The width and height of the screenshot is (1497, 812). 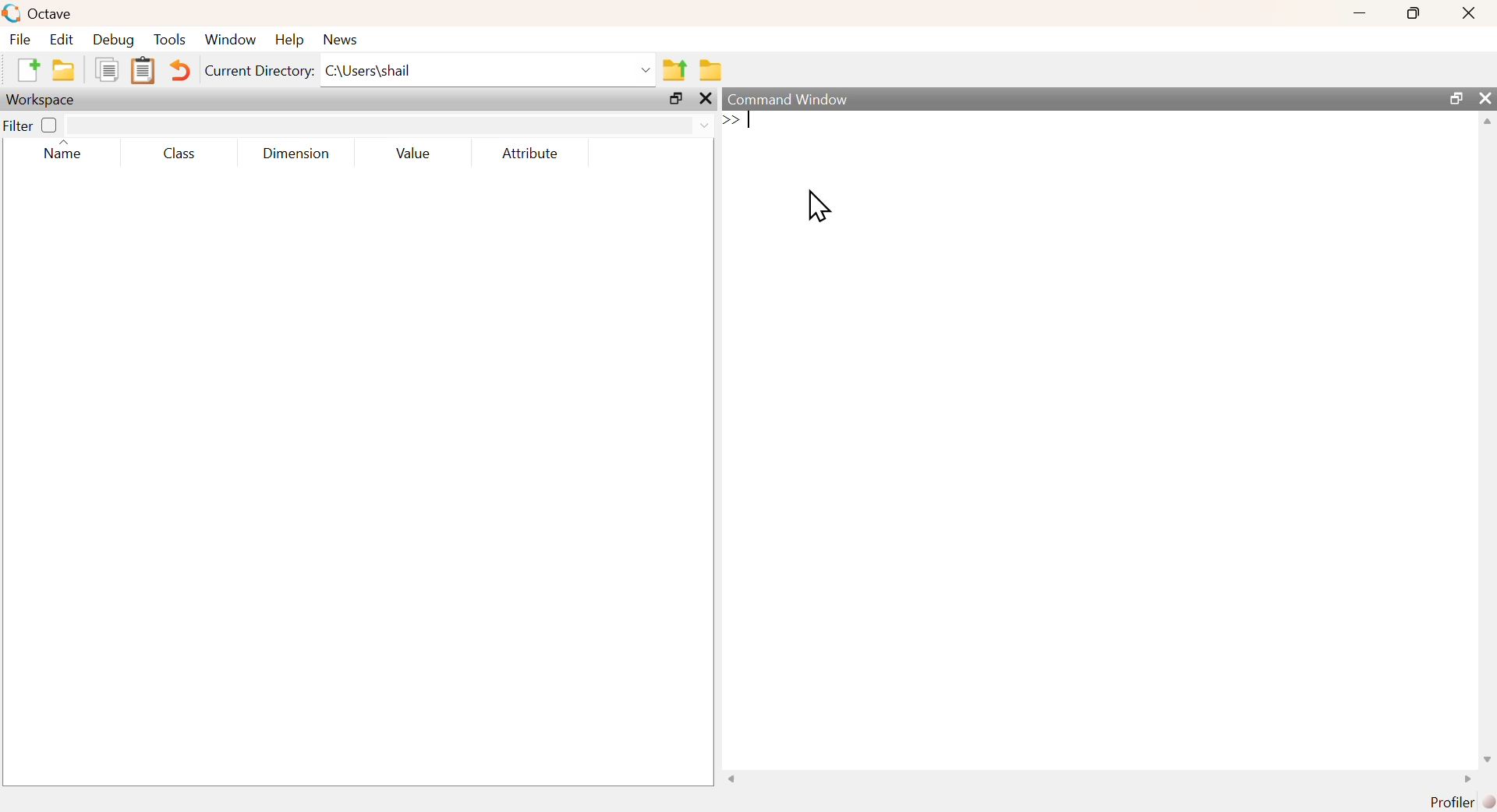 What do you see at coordinates (1485, 761) in the screenshot?
I see `scroll down` at bounding box center [1485, 761].